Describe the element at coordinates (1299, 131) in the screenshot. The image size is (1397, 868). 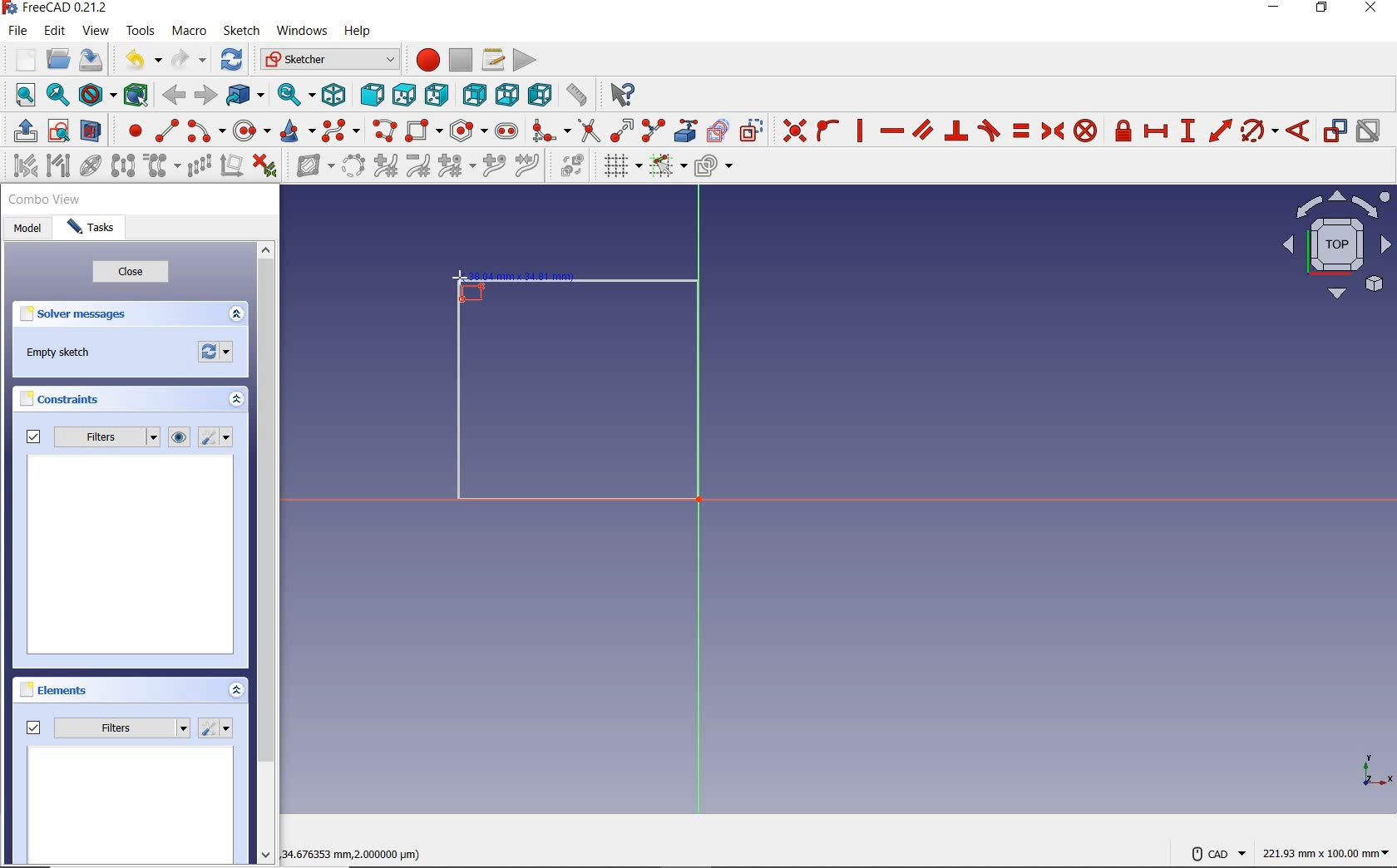
I see `constrain angle` at that location.